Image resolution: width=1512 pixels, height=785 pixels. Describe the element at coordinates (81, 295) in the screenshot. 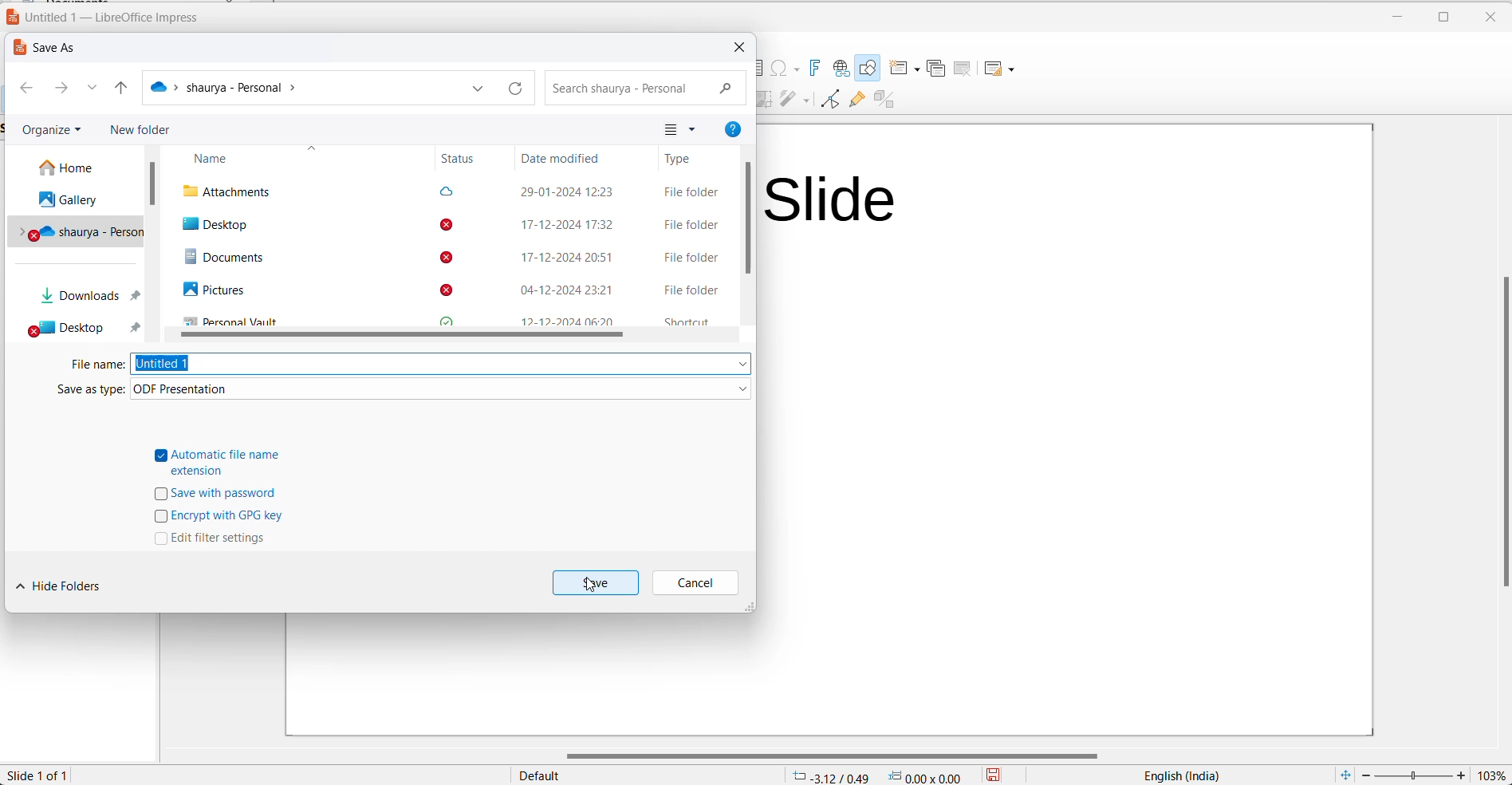

I see `downloads` at that location.